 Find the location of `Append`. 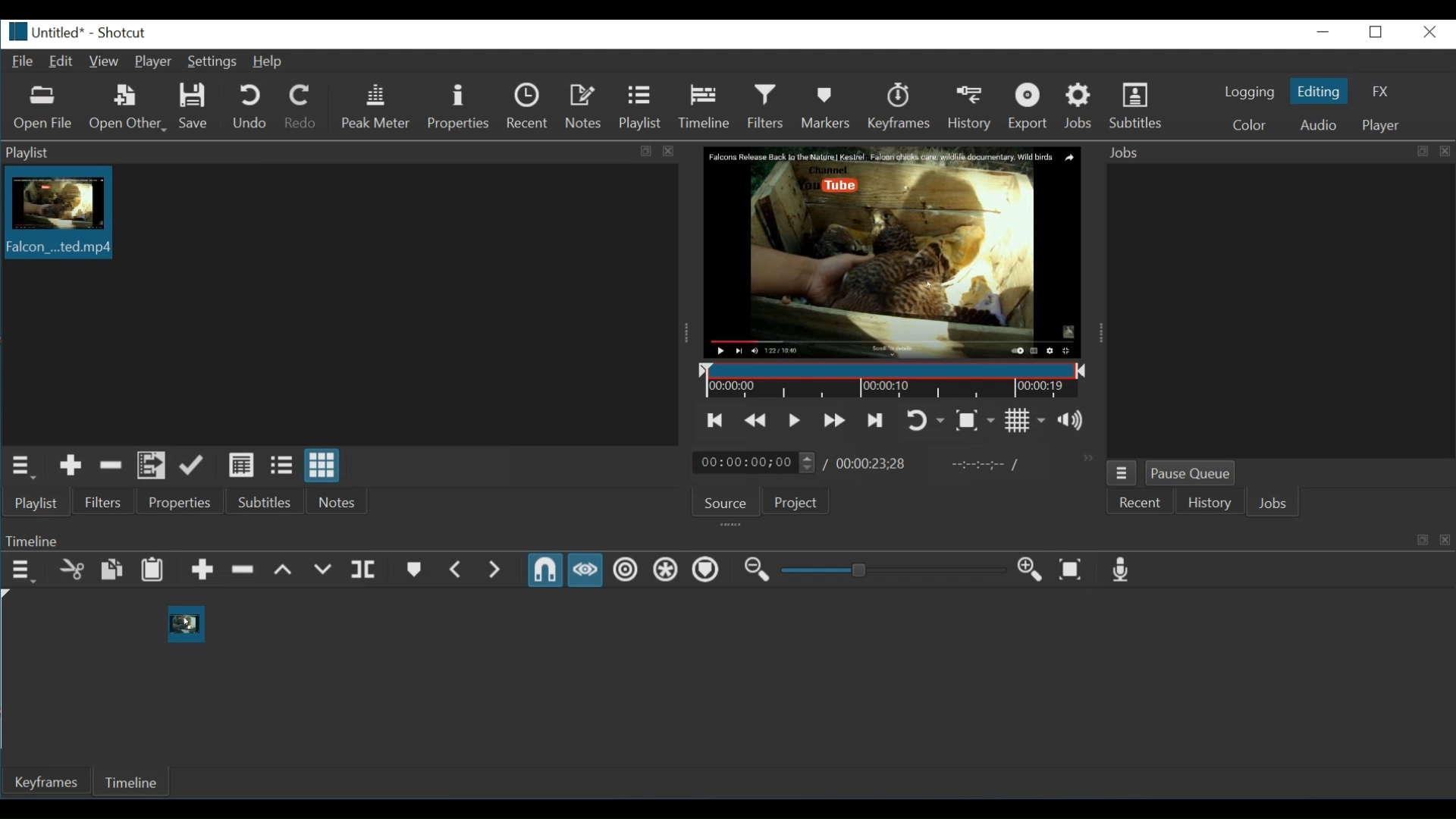

Append is located at coordinates (203, 570).